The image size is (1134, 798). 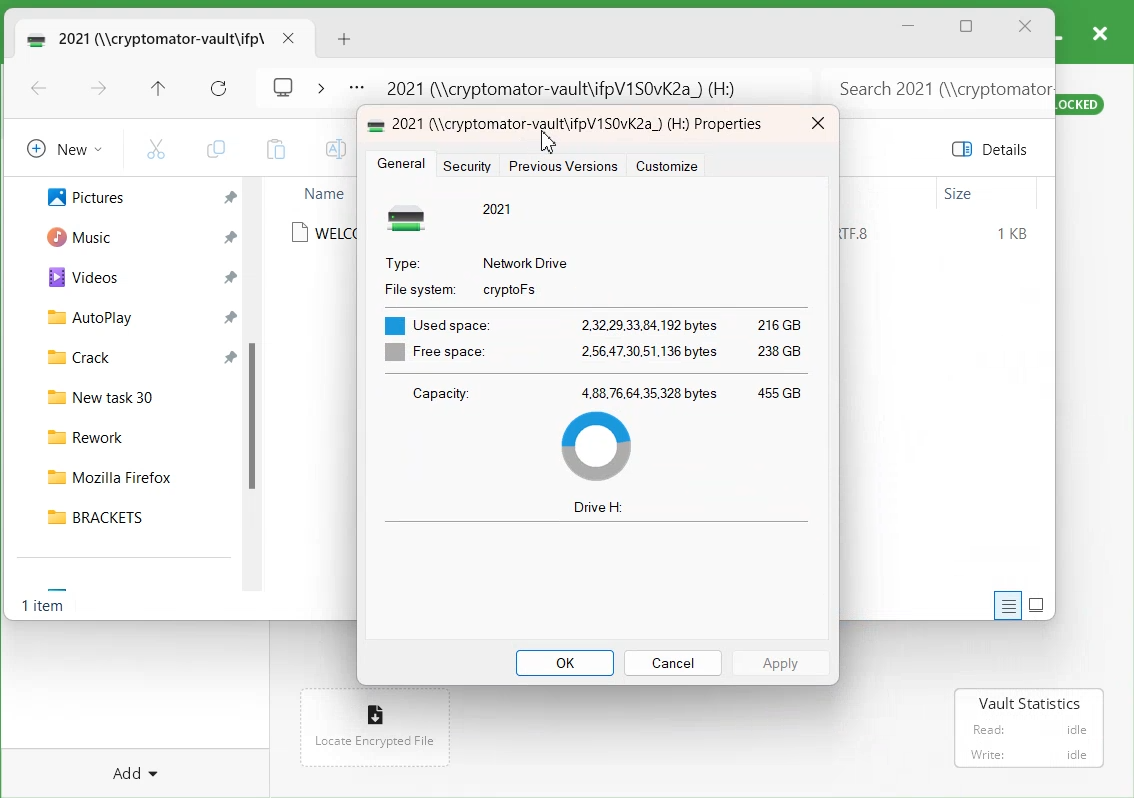 What do you see at coordinates (994, 149) in the screenshot?
I see `Details` at bounding box center [994, 149].